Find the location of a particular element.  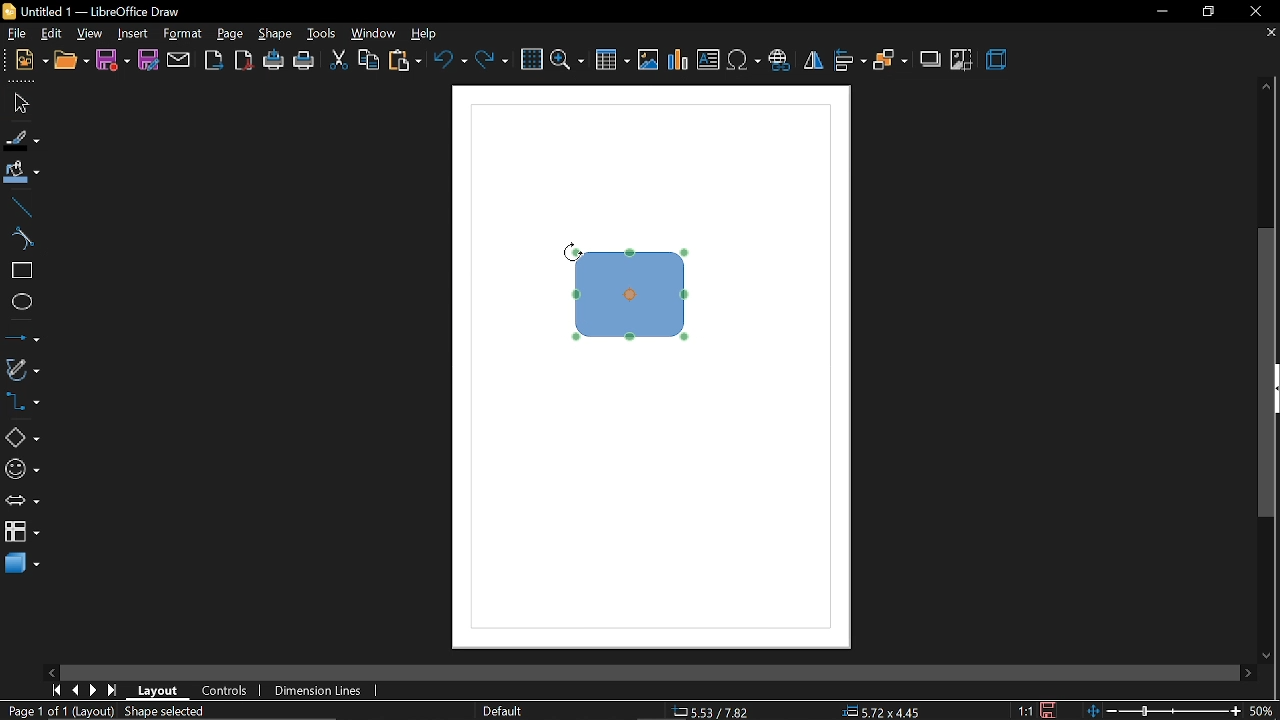

minimize is located at coordinates (1161, 11).